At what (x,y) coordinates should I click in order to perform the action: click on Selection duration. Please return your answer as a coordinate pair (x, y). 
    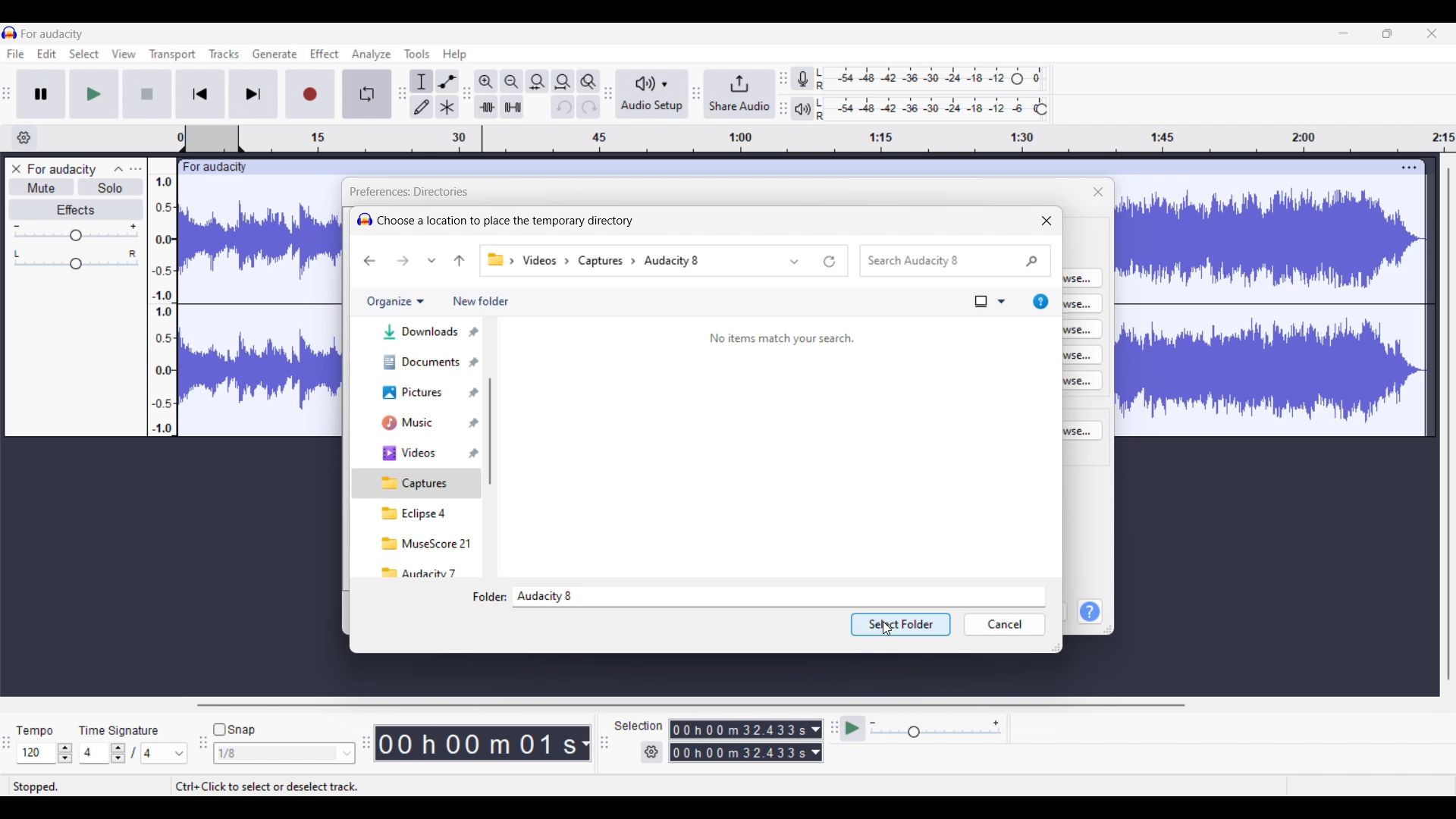
    Looking at the image, I should click on (739, 741).